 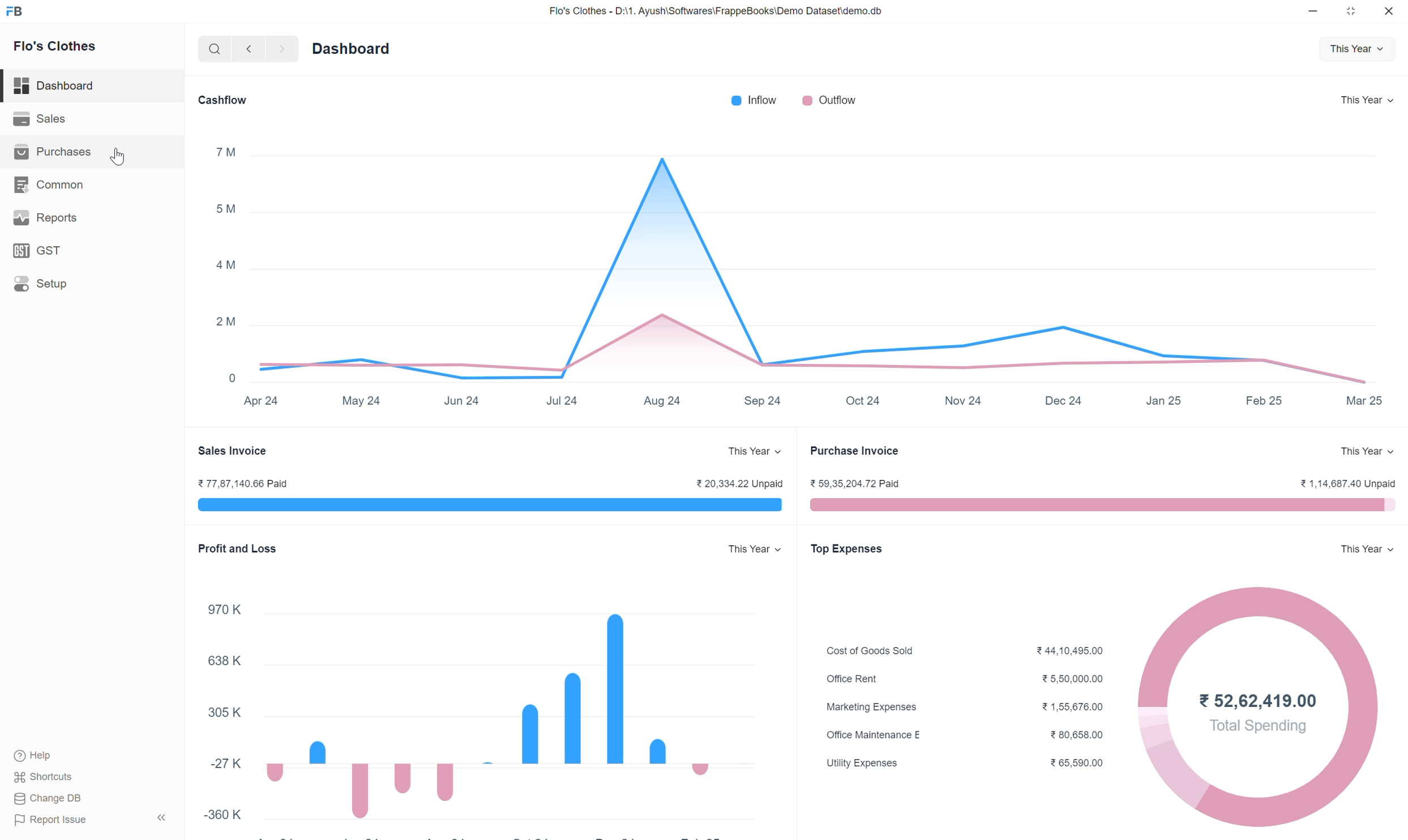 I want to click on 0, so click(x=232, y=378).